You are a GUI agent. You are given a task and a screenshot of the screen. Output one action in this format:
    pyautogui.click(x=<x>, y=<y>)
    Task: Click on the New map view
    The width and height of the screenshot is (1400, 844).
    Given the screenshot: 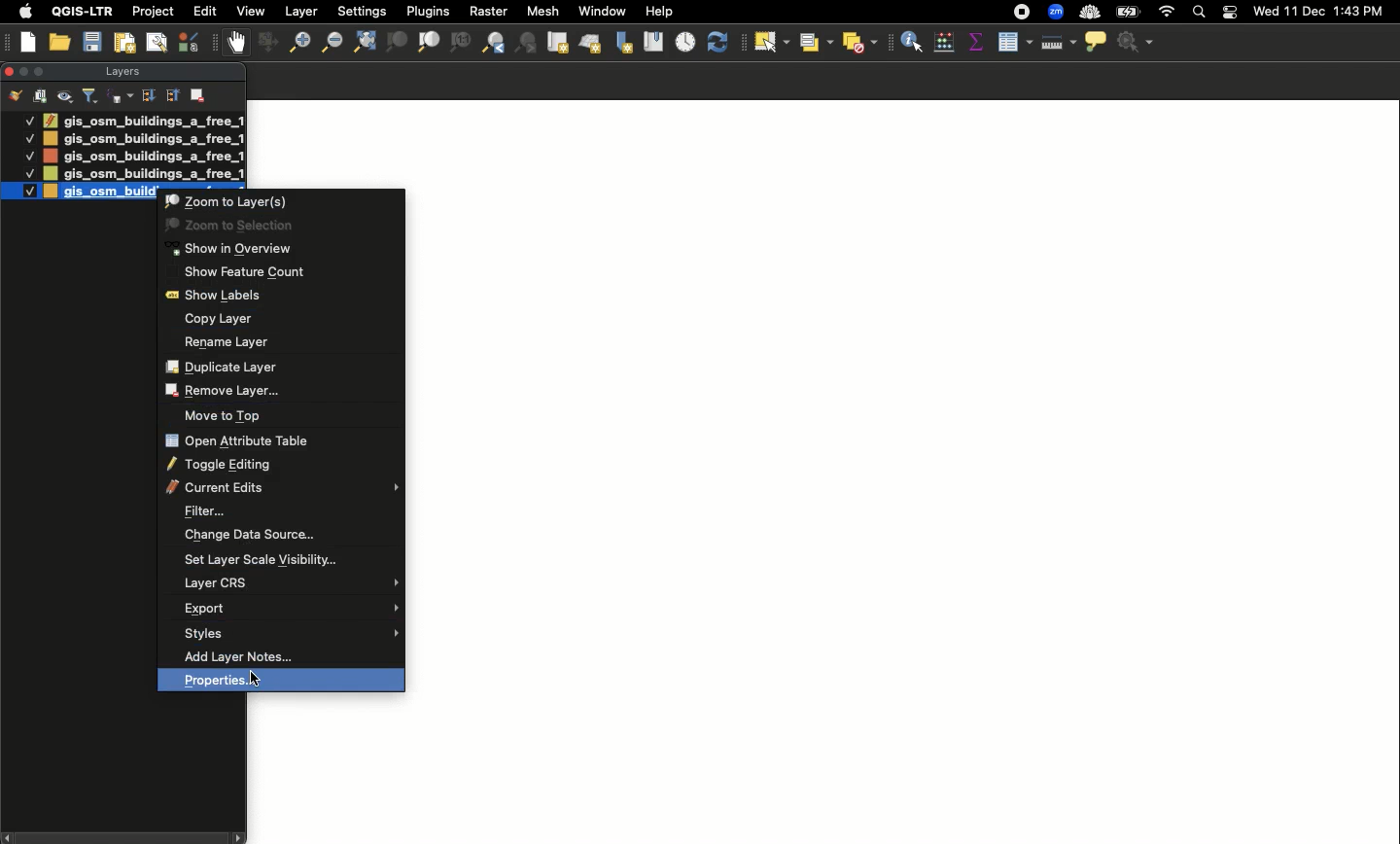 What is the action you would take?
    pyautogui.click(x=556, y=43)
    